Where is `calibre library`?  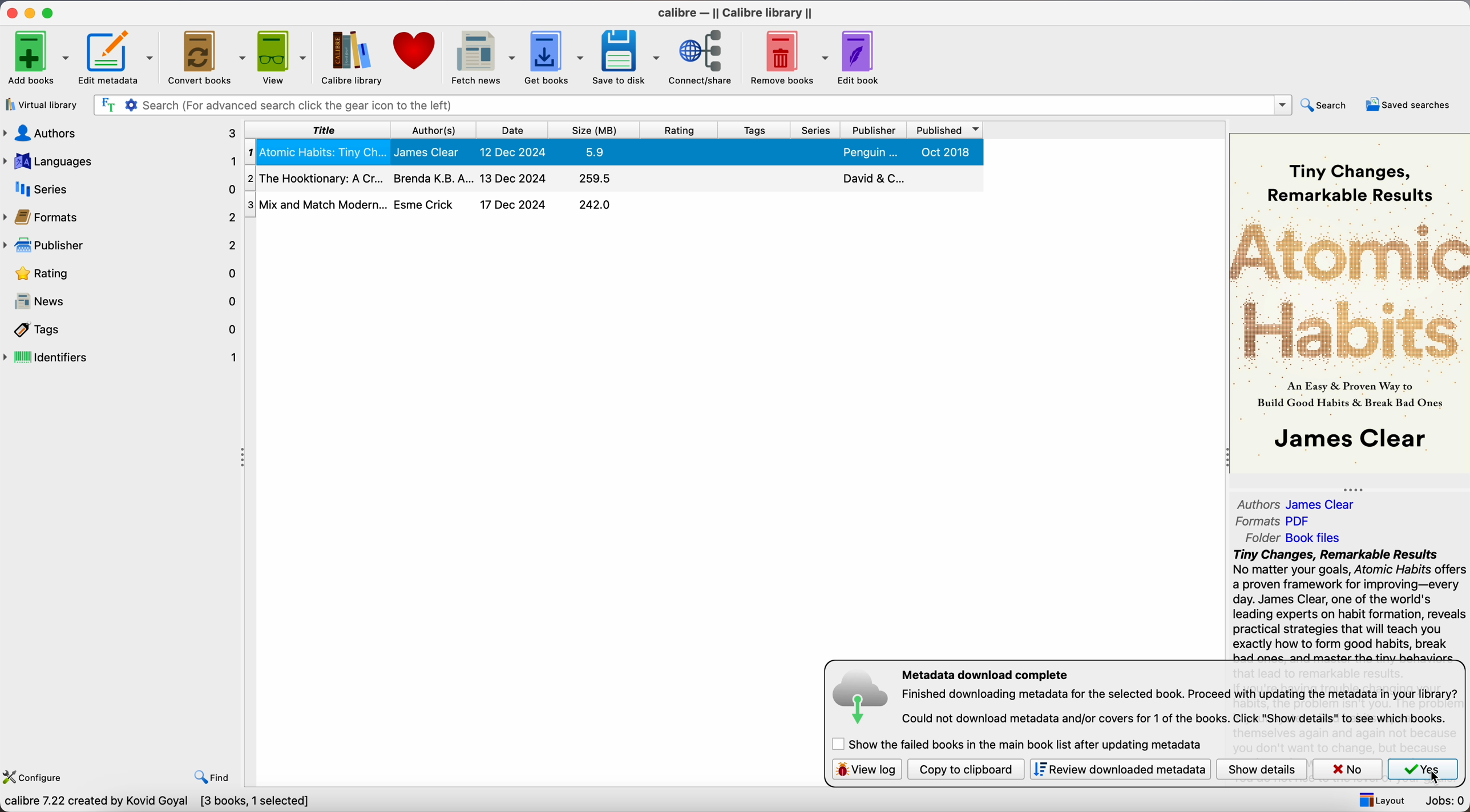 calibre library is located at coordinates (349, 57).